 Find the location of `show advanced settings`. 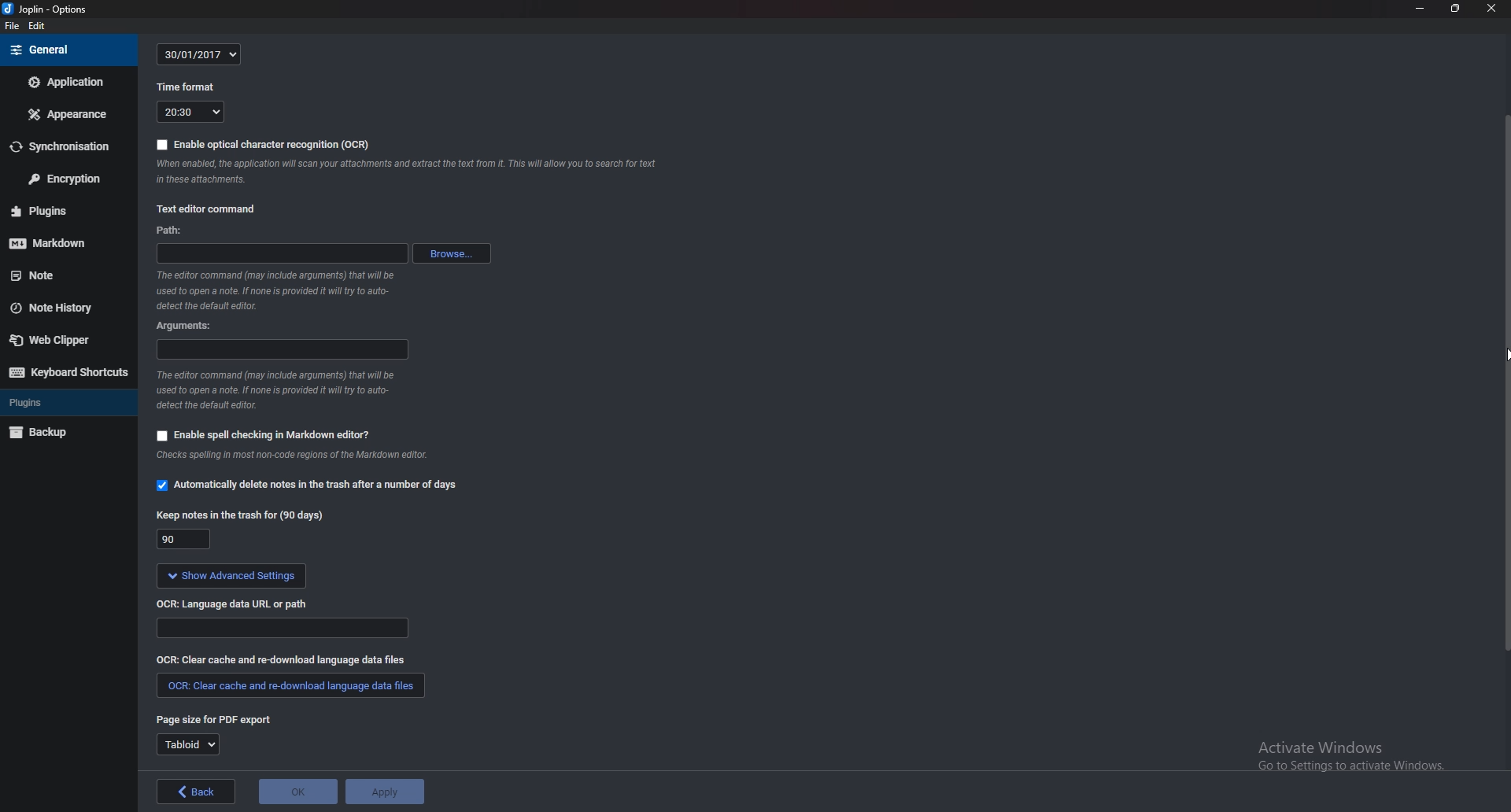

show advanced settings is located at coordinates (269, 576).